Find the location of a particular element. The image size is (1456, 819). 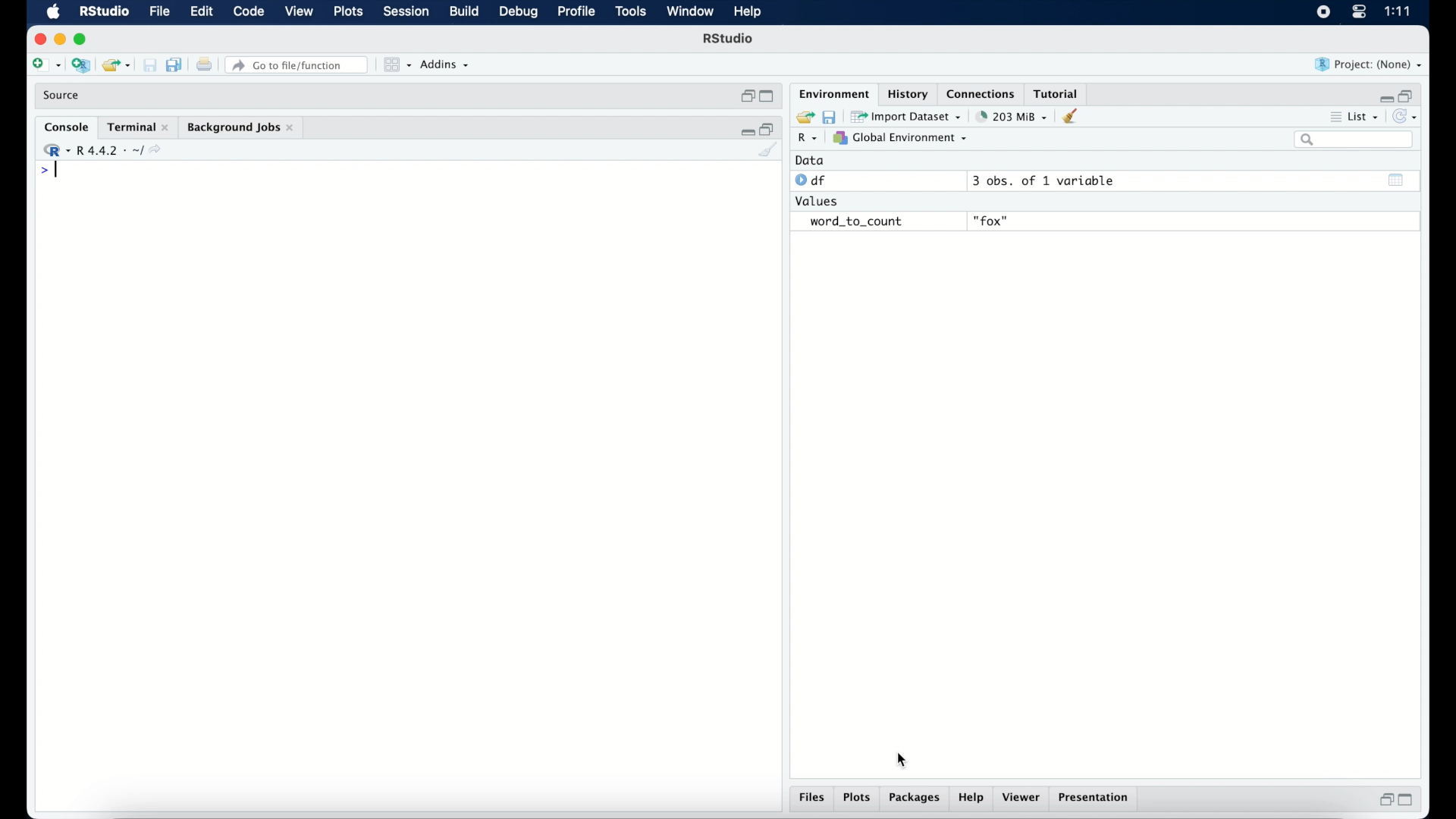

tutorial is located at coordinates (1056, 92).